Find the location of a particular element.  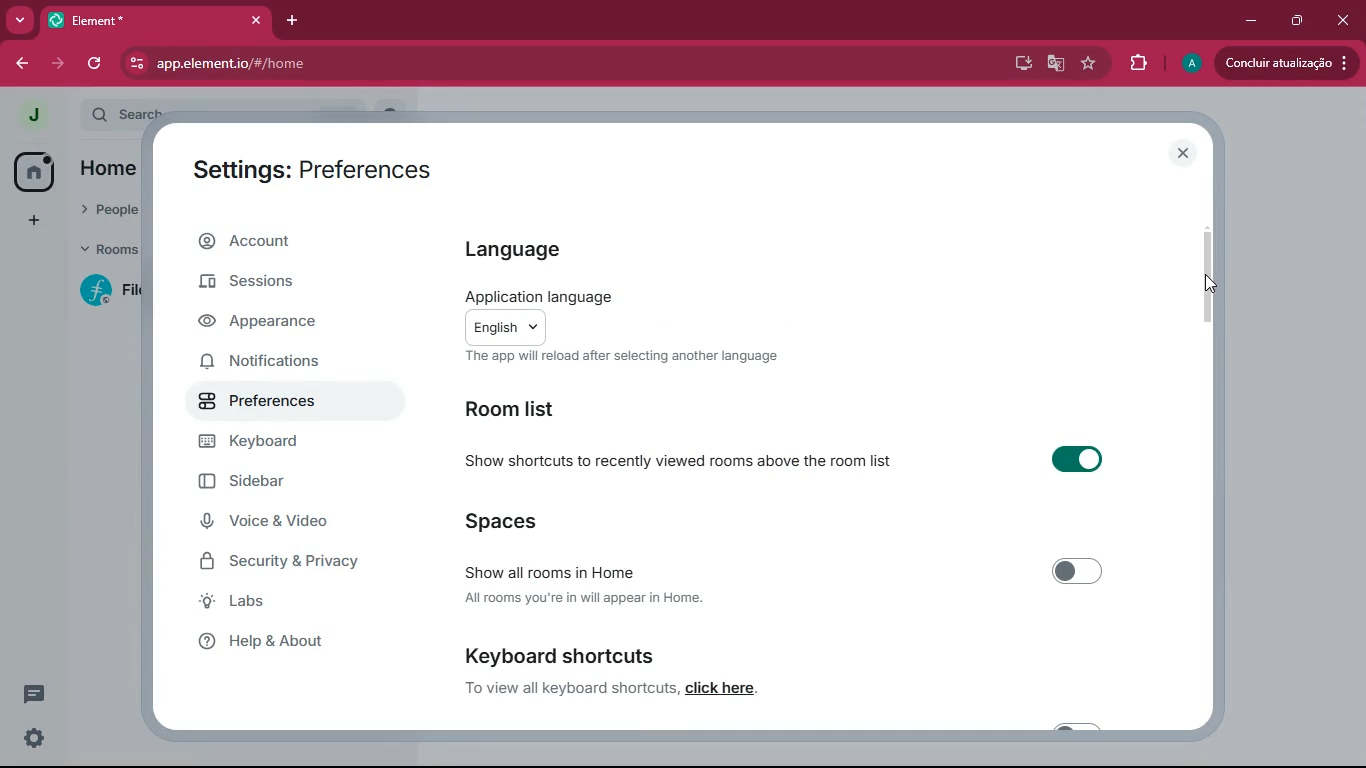

scroll bar is located at coordinates (1205, 274).